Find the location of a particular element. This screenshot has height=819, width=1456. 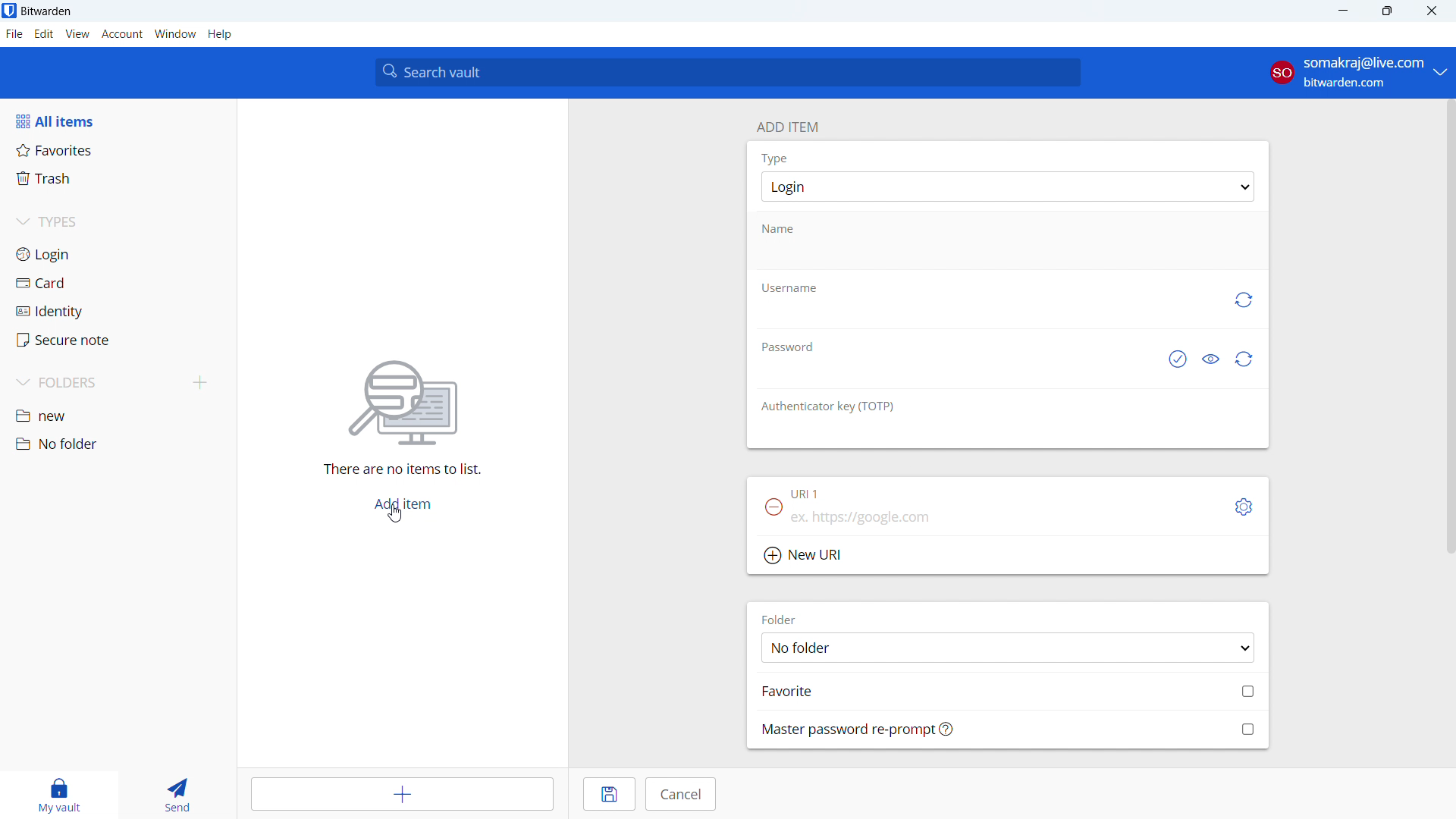

add authenticator key is located at coordinates (1007, 435).